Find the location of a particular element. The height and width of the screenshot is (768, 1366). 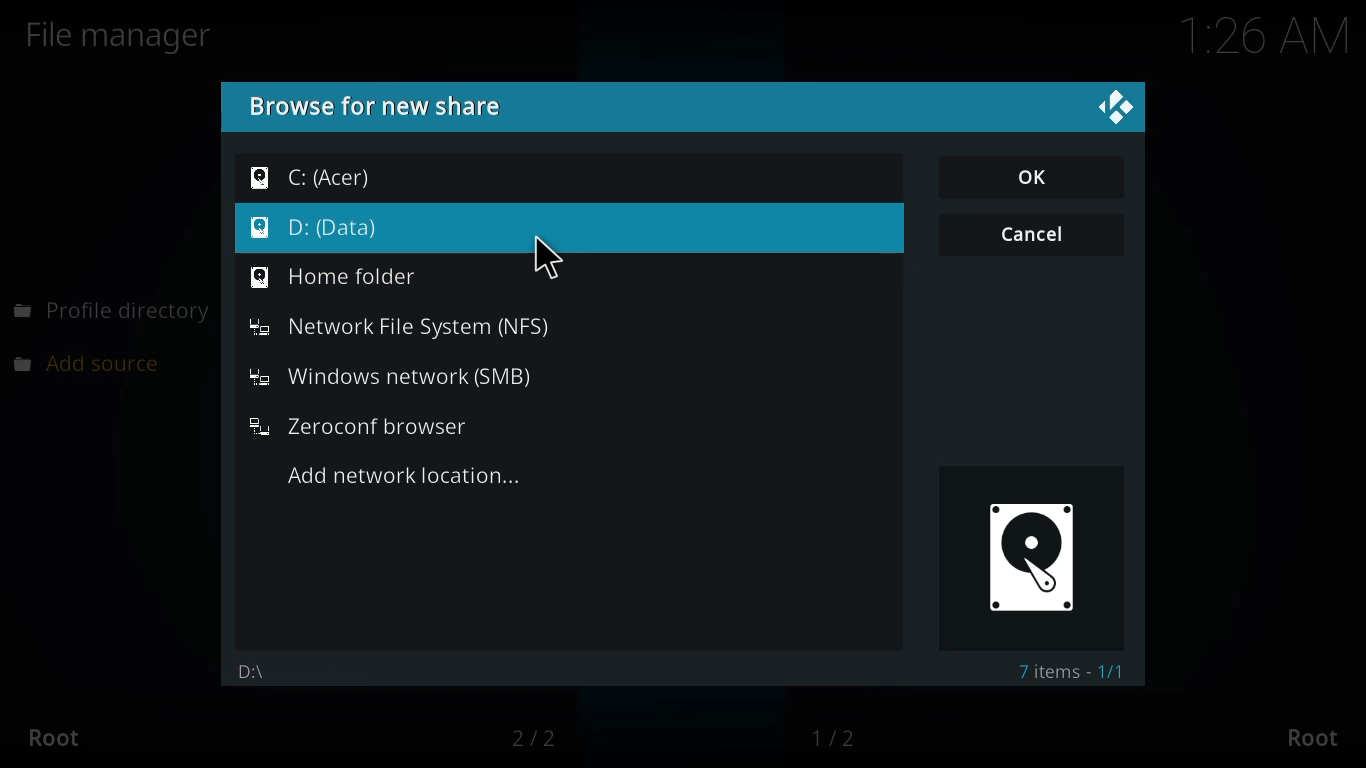

time is located at coordinates (1249, 38).